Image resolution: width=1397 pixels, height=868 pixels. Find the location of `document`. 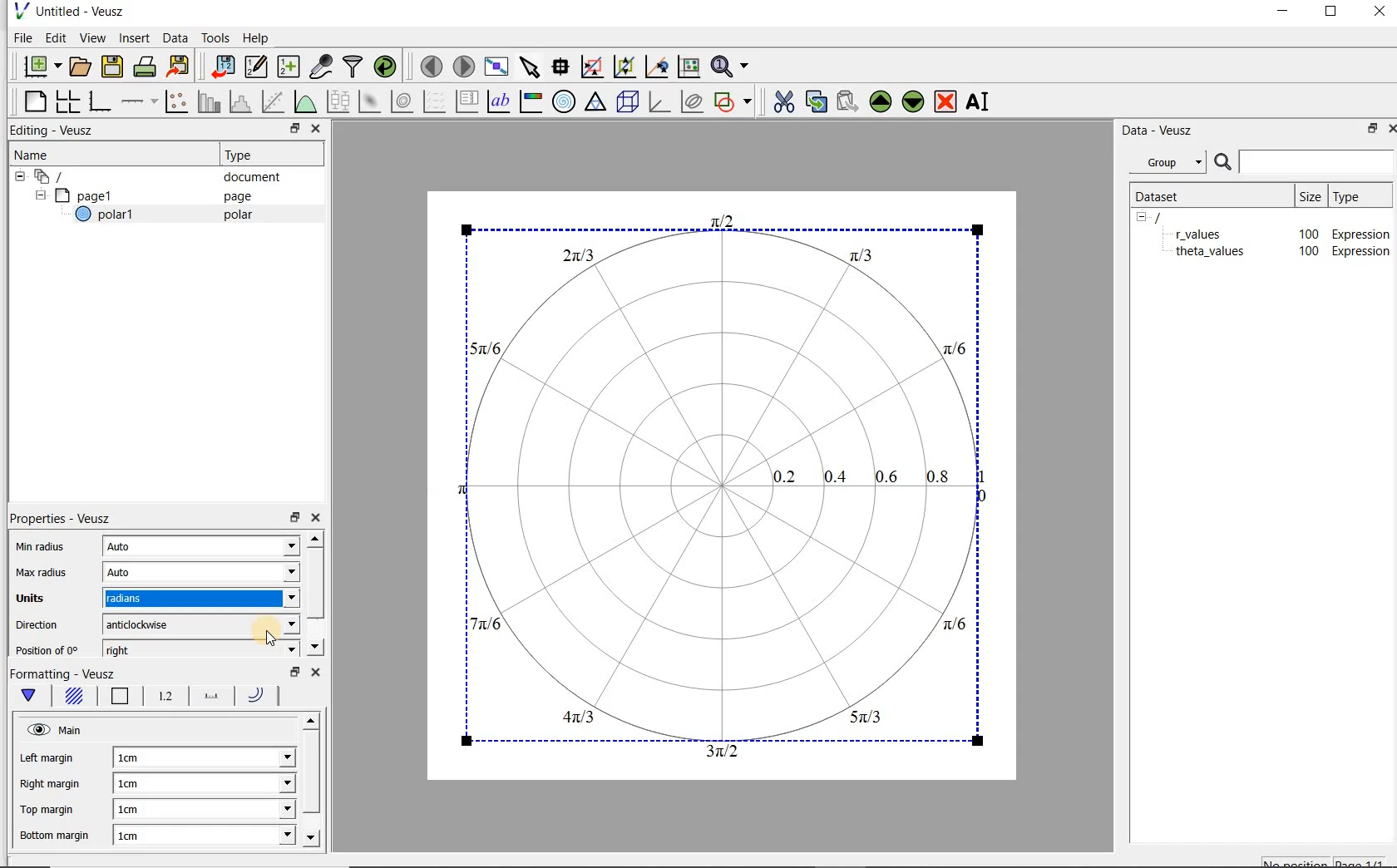

document is located at coordinates (245, 177).